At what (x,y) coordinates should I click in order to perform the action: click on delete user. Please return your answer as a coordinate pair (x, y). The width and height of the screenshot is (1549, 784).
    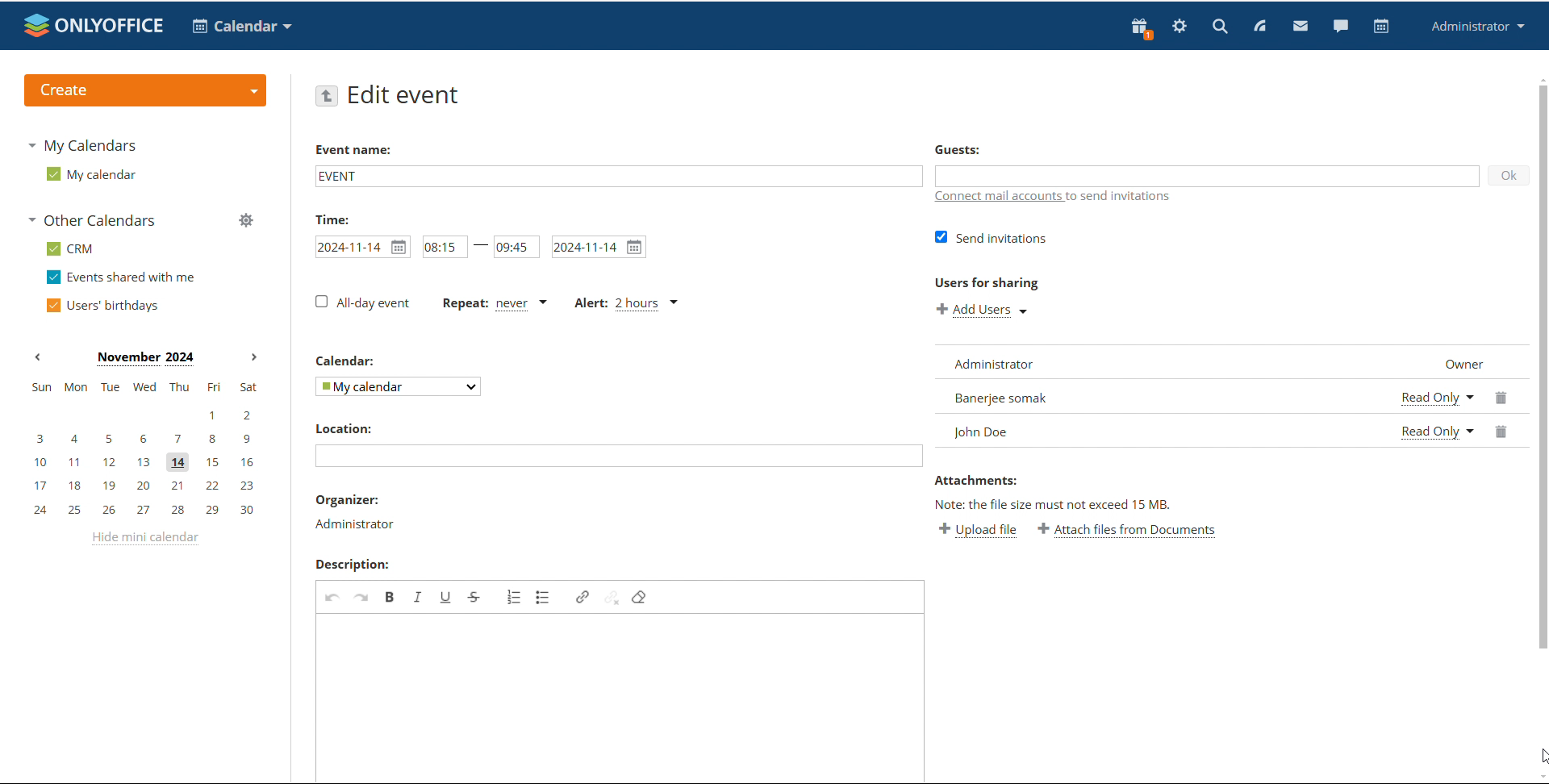
    Looking at the image, I should click on (1503, 415).